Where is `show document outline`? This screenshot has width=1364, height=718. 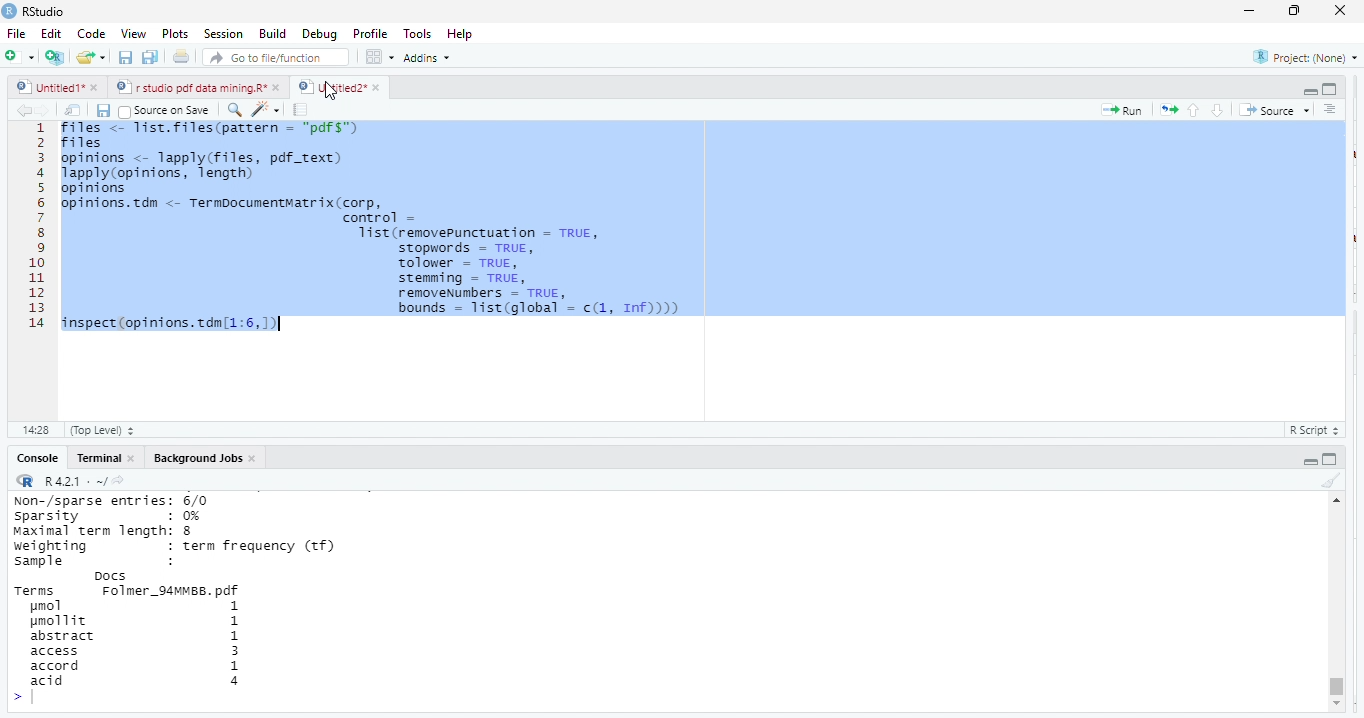
show document outline is located at coordinates (1332, 110).